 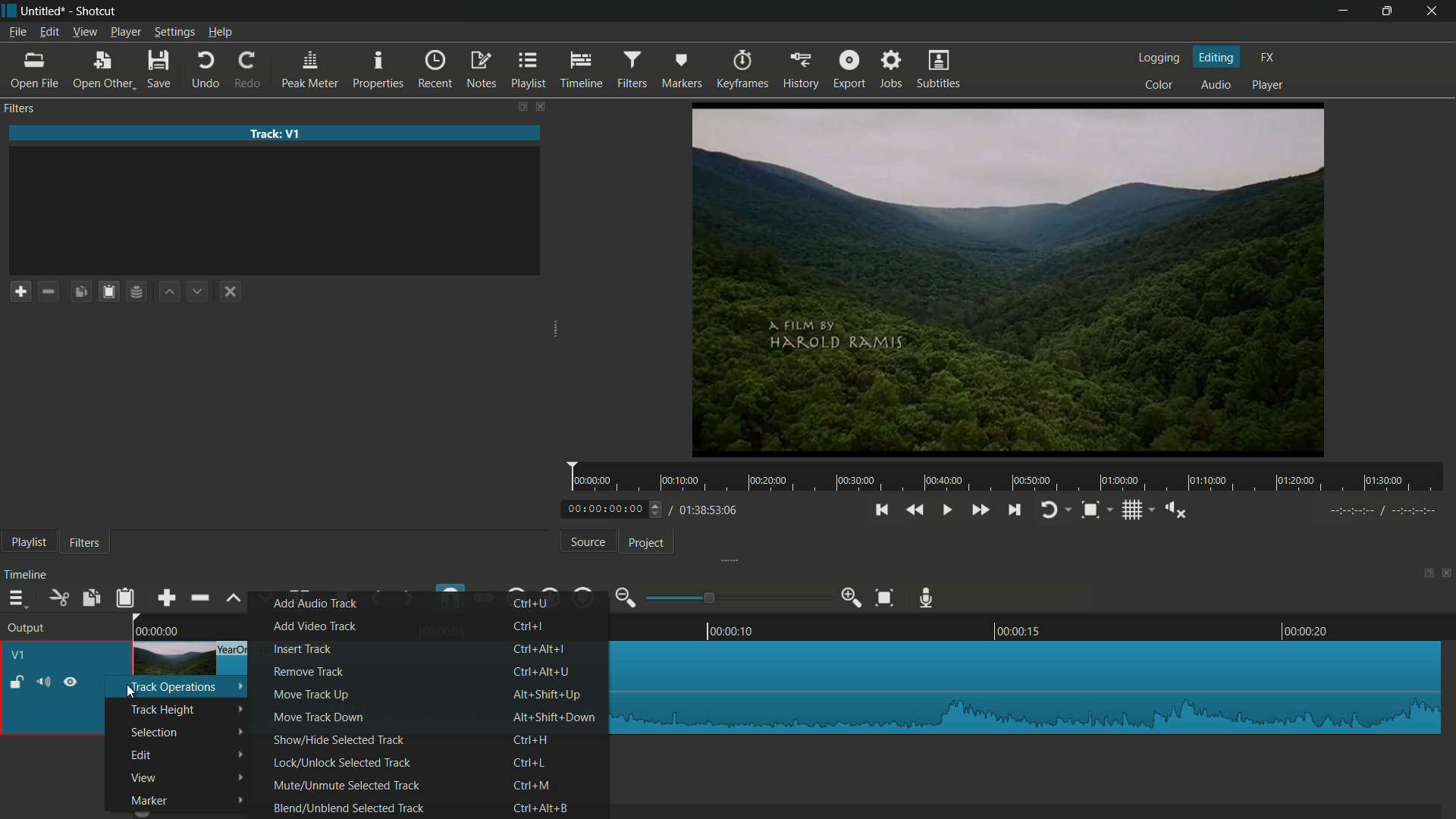 I want to click on logging, so click(x=1161, y=59).